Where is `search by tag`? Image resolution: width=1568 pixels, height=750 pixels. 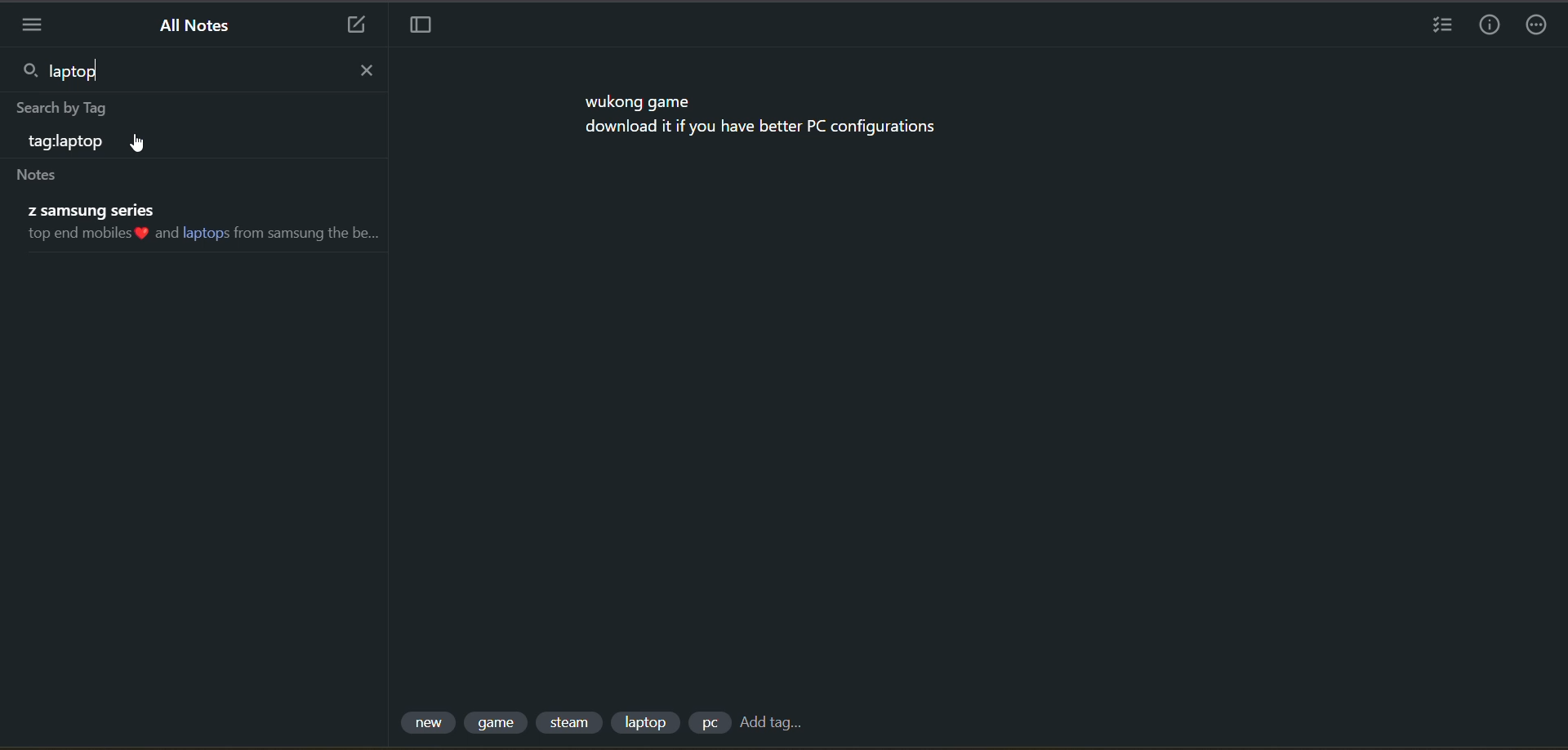
search by tag is located at coordinates (69, 109).